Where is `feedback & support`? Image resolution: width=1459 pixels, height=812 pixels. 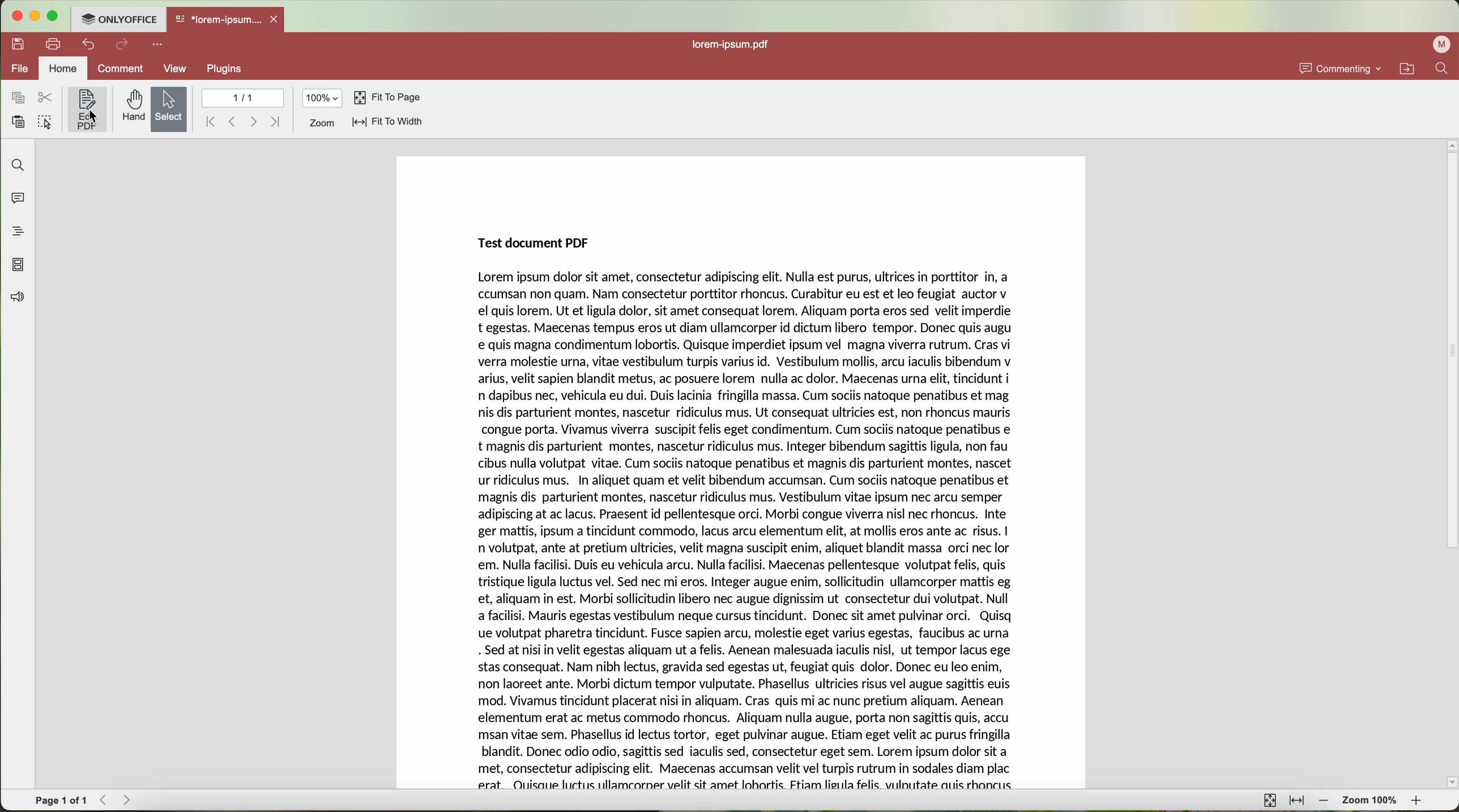
feedback & support is located at coordinates (16, 299).